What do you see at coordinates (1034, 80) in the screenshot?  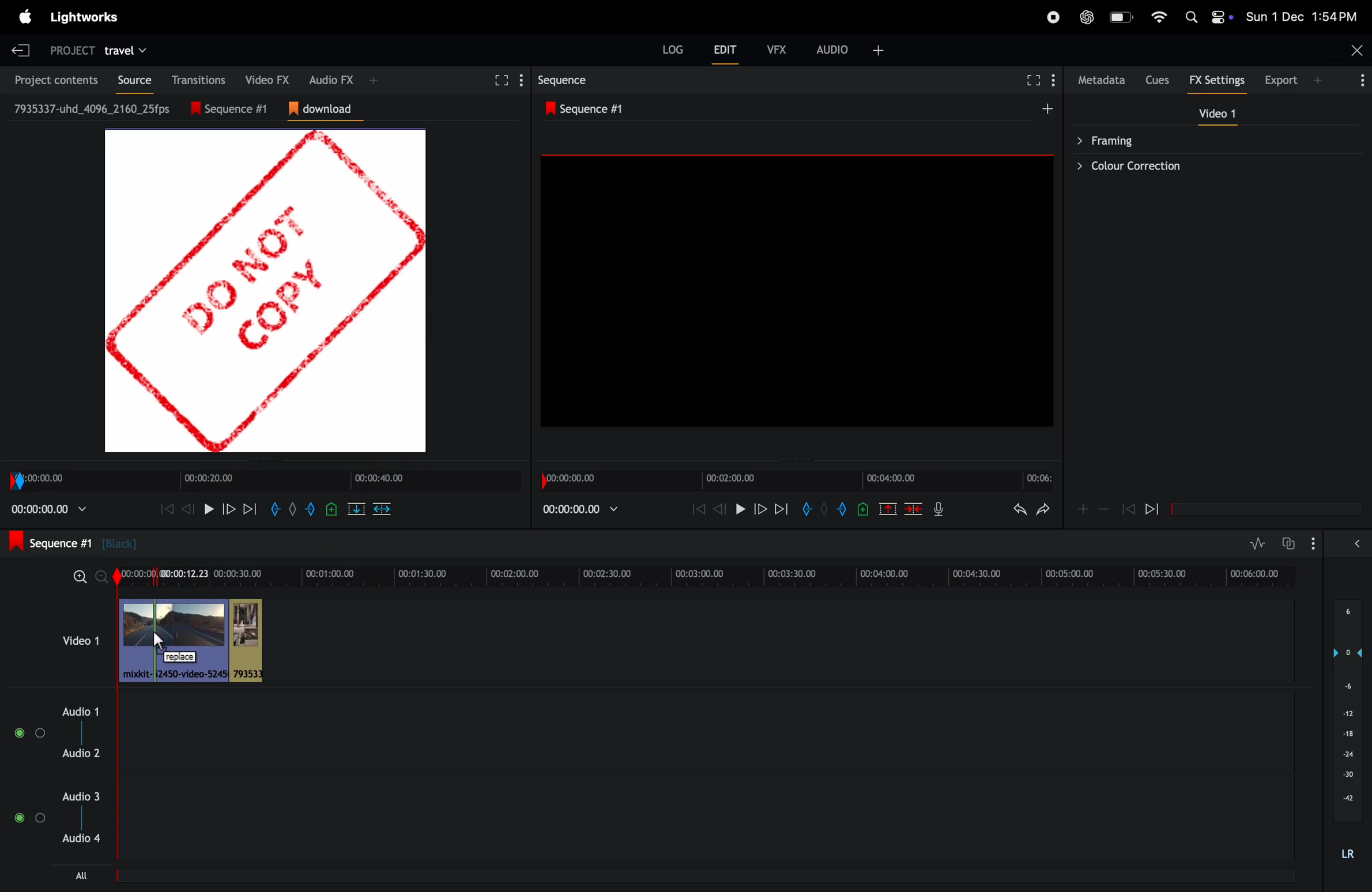 I see `full screen` at bounding box center [1034, 80].